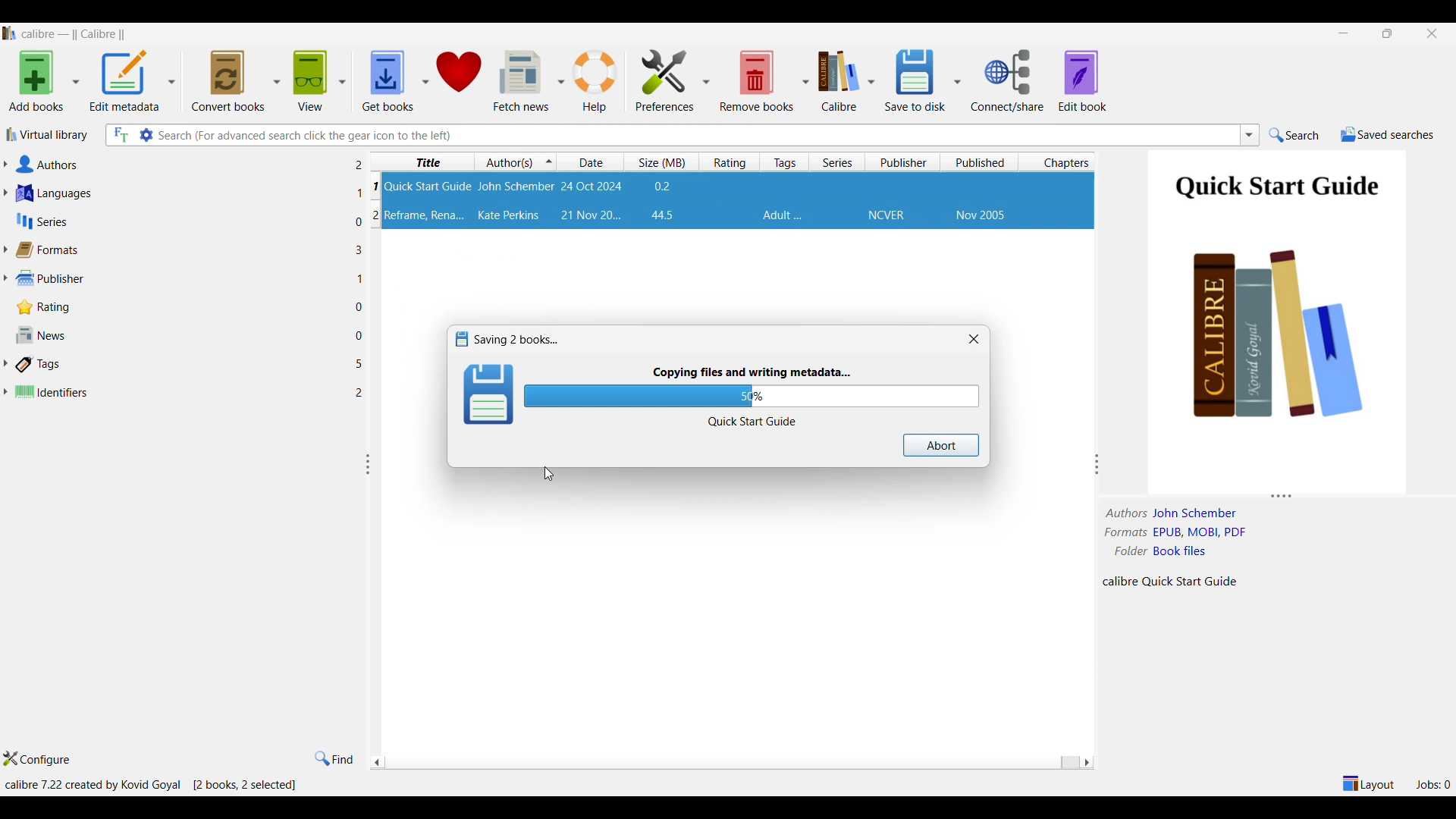  Describe the element at coordinates (1432, 784) in the screenshot. I see `Current jobs` at that location.